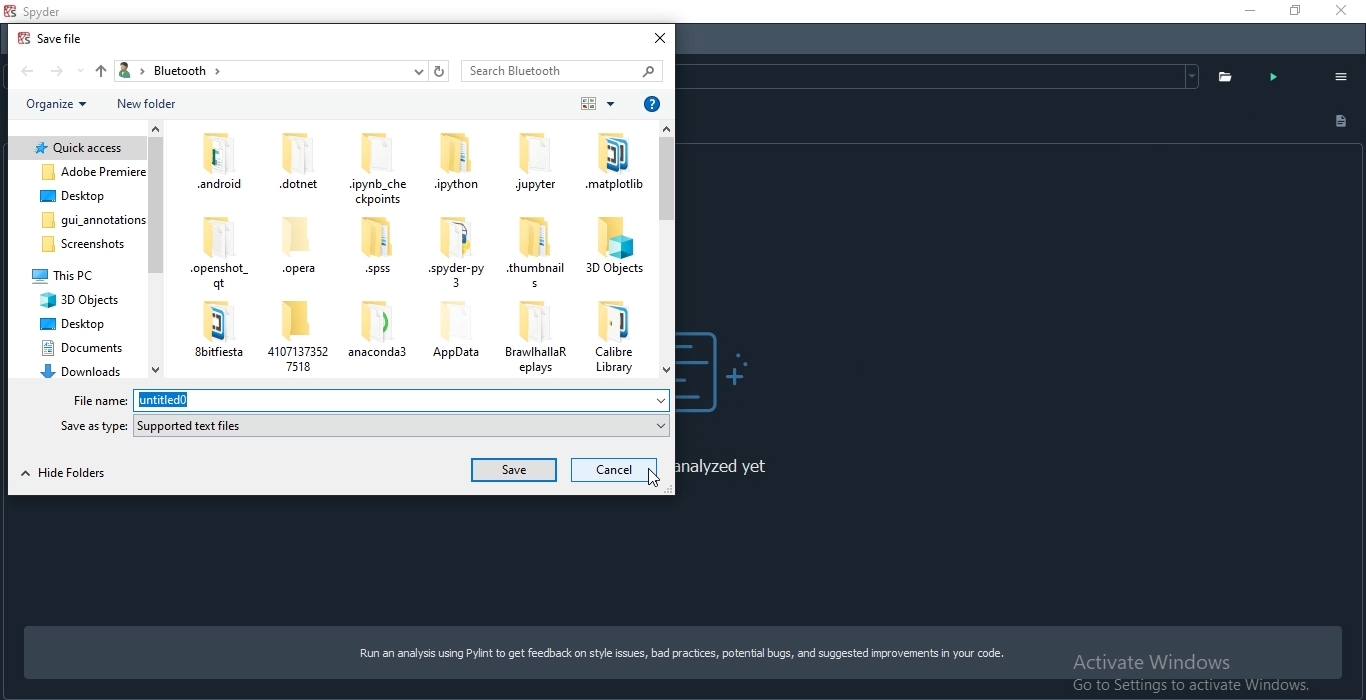 The width and height of the screenshot is (1366, 700). I want to click on deskstop, so click(71, 325).